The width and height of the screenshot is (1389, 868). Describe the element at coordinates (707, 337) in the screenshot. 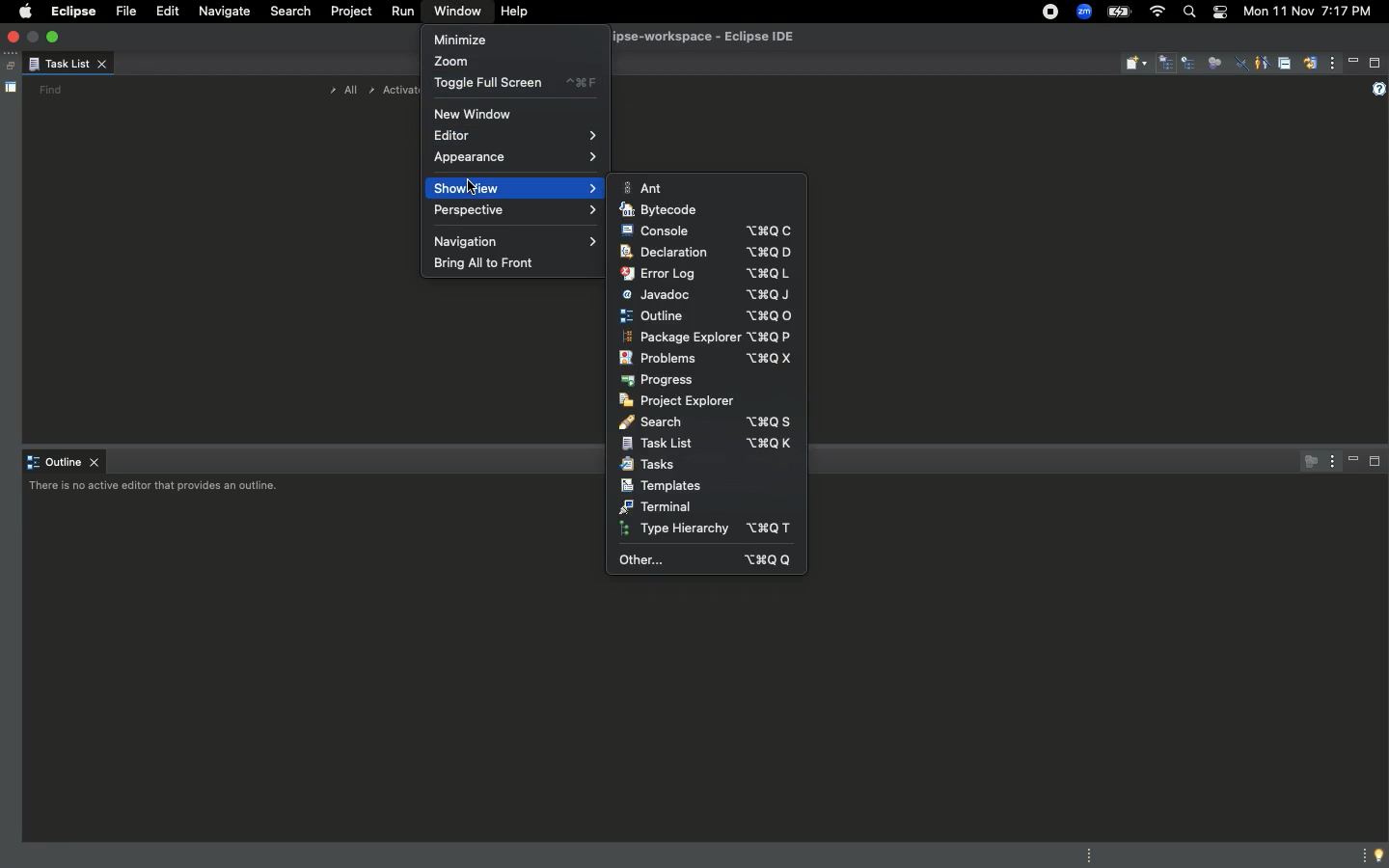

I see `Package explorer` at that location.